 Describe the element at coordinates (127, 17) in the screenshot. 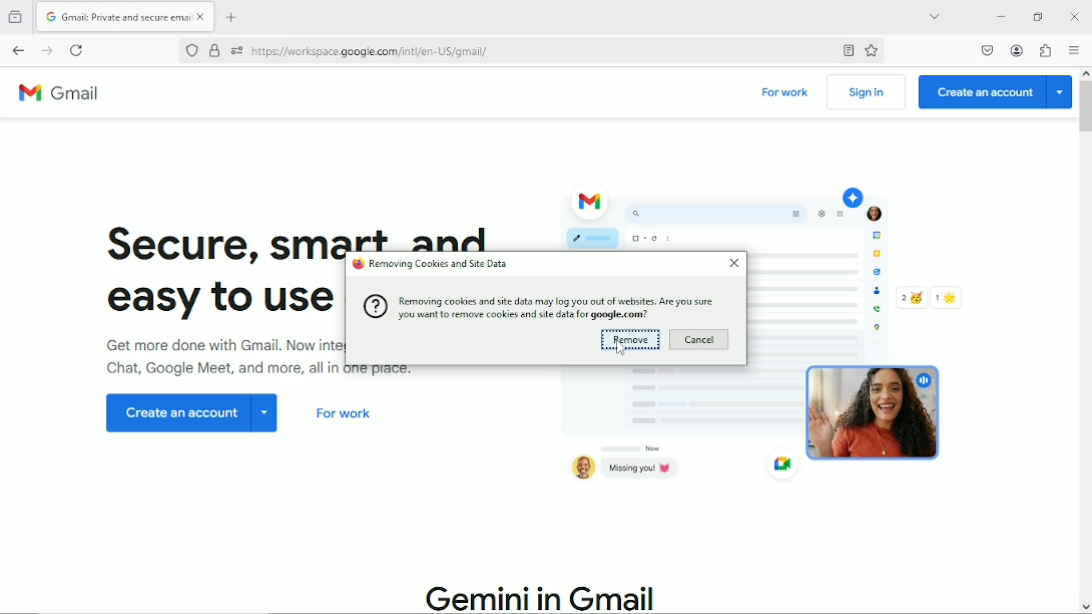

I see `Current tab` at that location.